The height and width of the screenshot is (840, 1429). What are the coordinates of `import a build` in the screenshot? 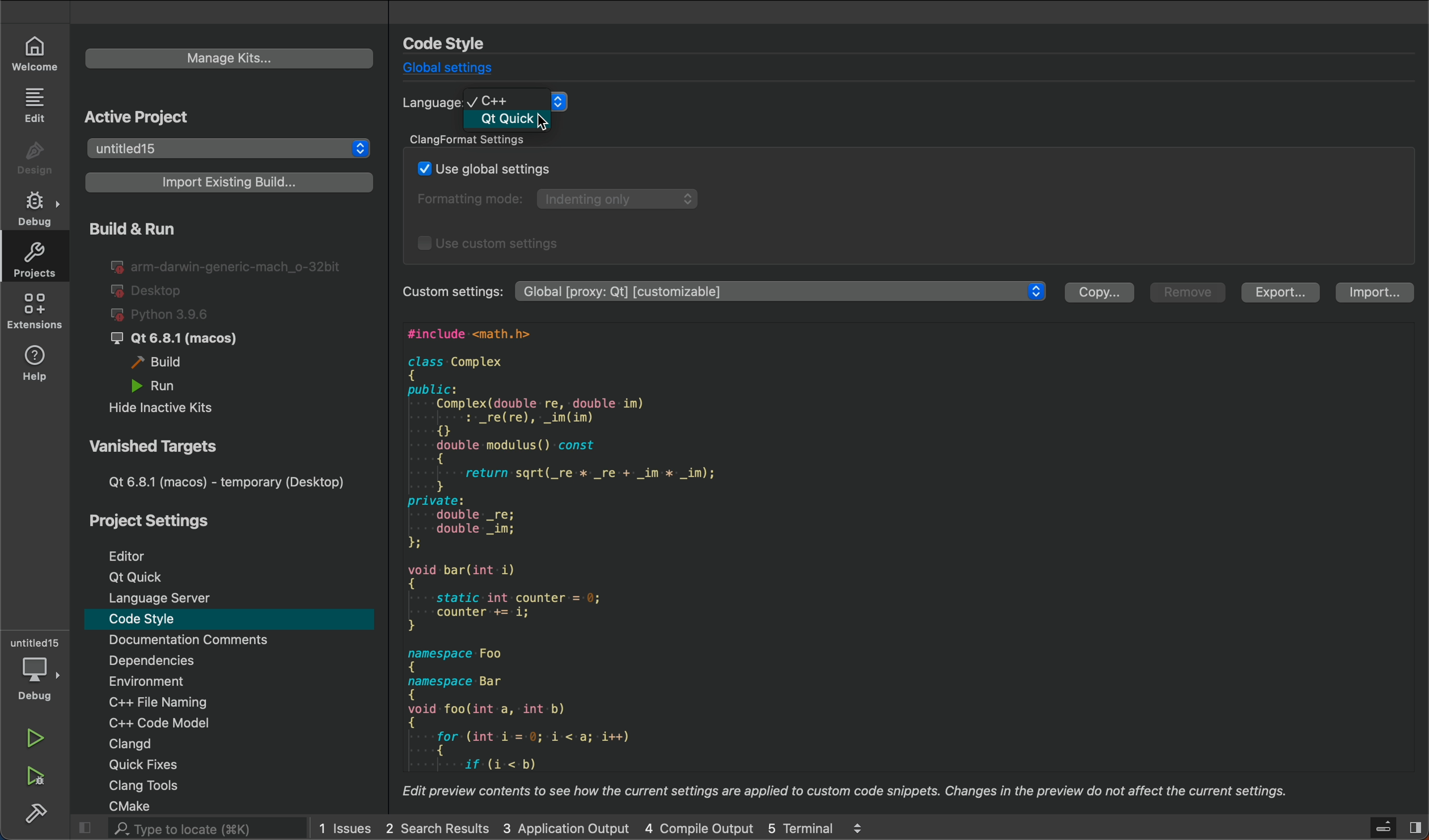 It's located at (225, 183).